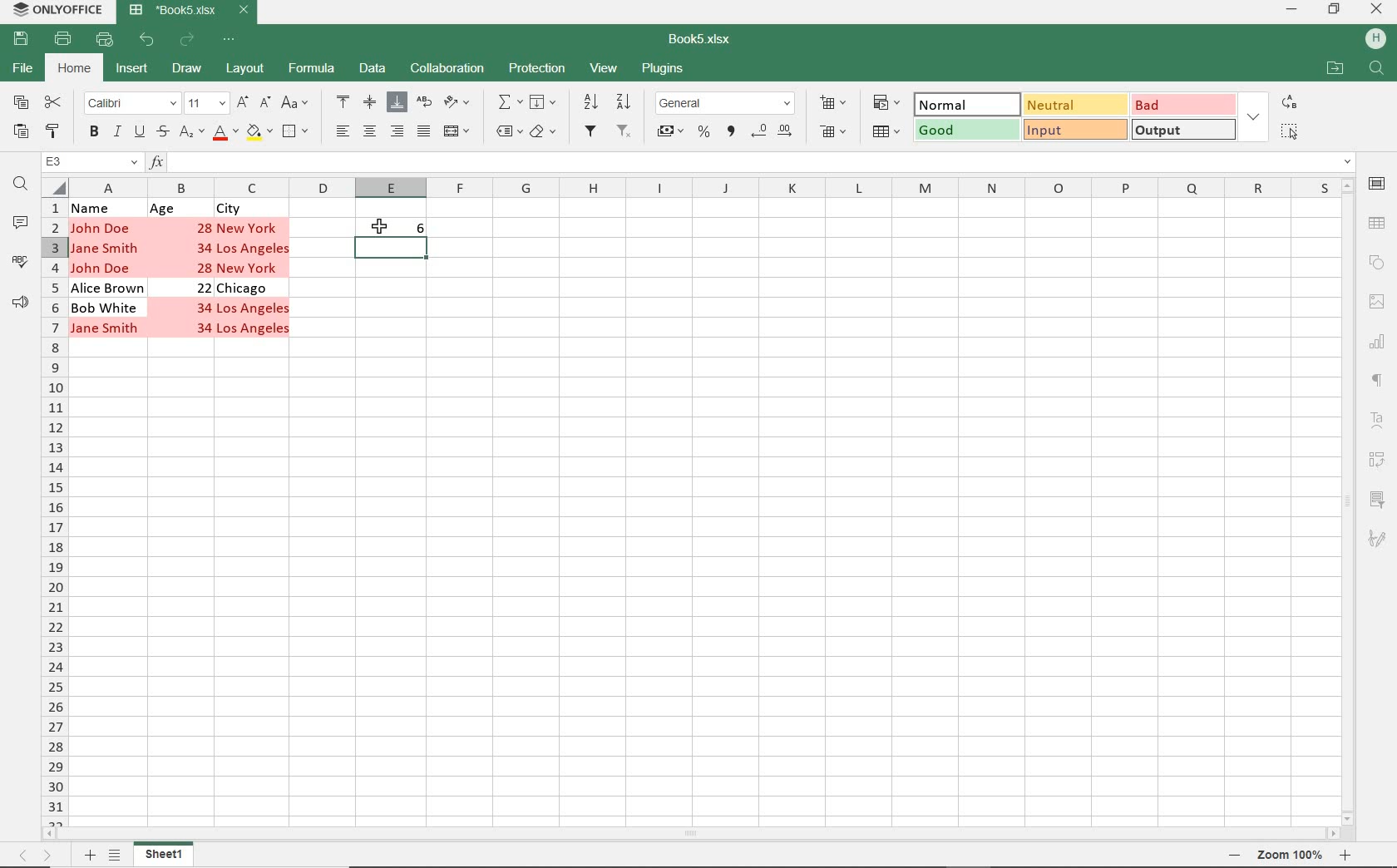 This screenshot has height=868, width=1397. What do you see at coordinates (296, 104) in the screenshot?
I see `CHANGE CASE` at bounding box center [296, 104].